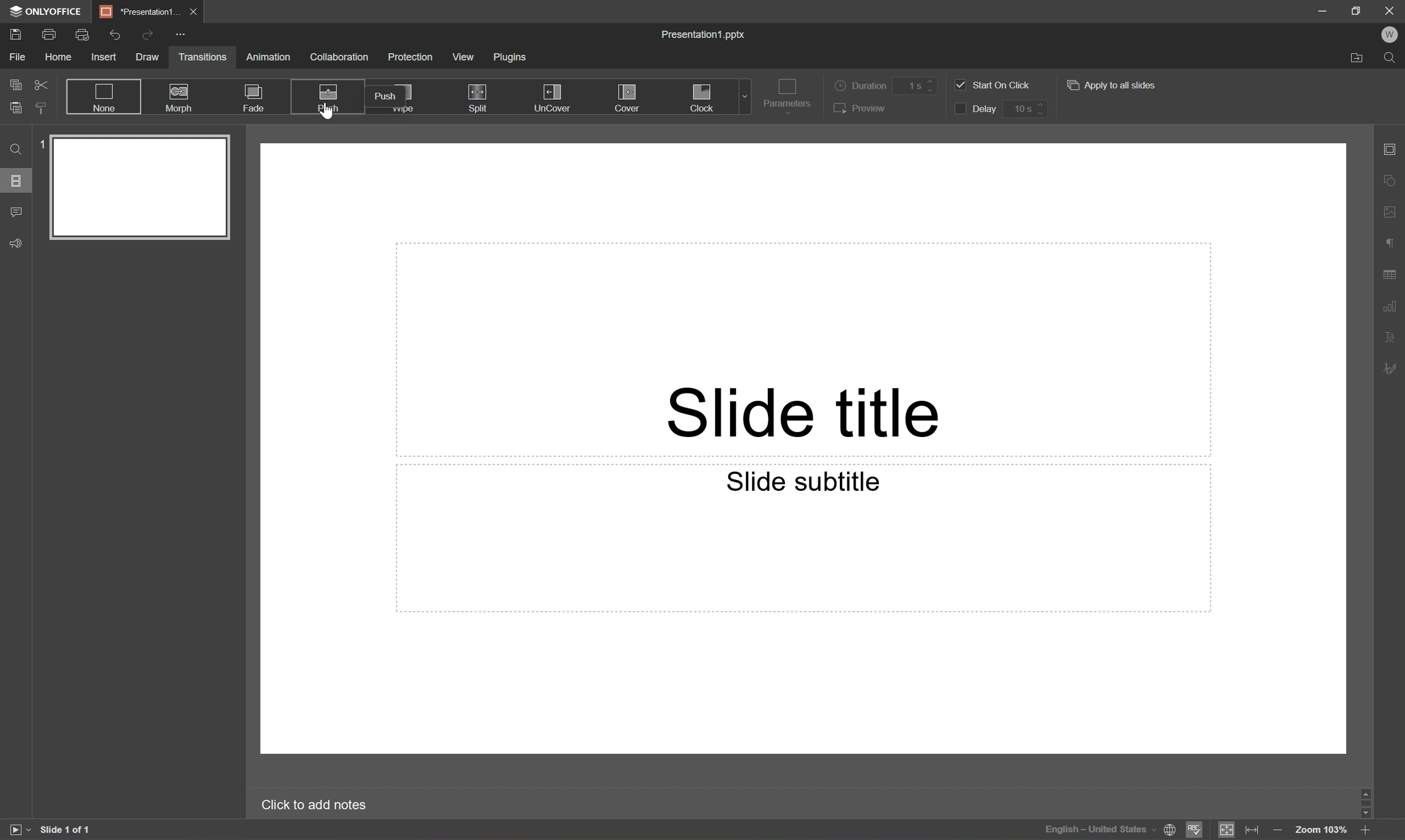 The width and height of the screenshot is (1405, 840). Describe the element at coordinates (1392, 371) in the screenshot. I see `Signature settings` at that location.